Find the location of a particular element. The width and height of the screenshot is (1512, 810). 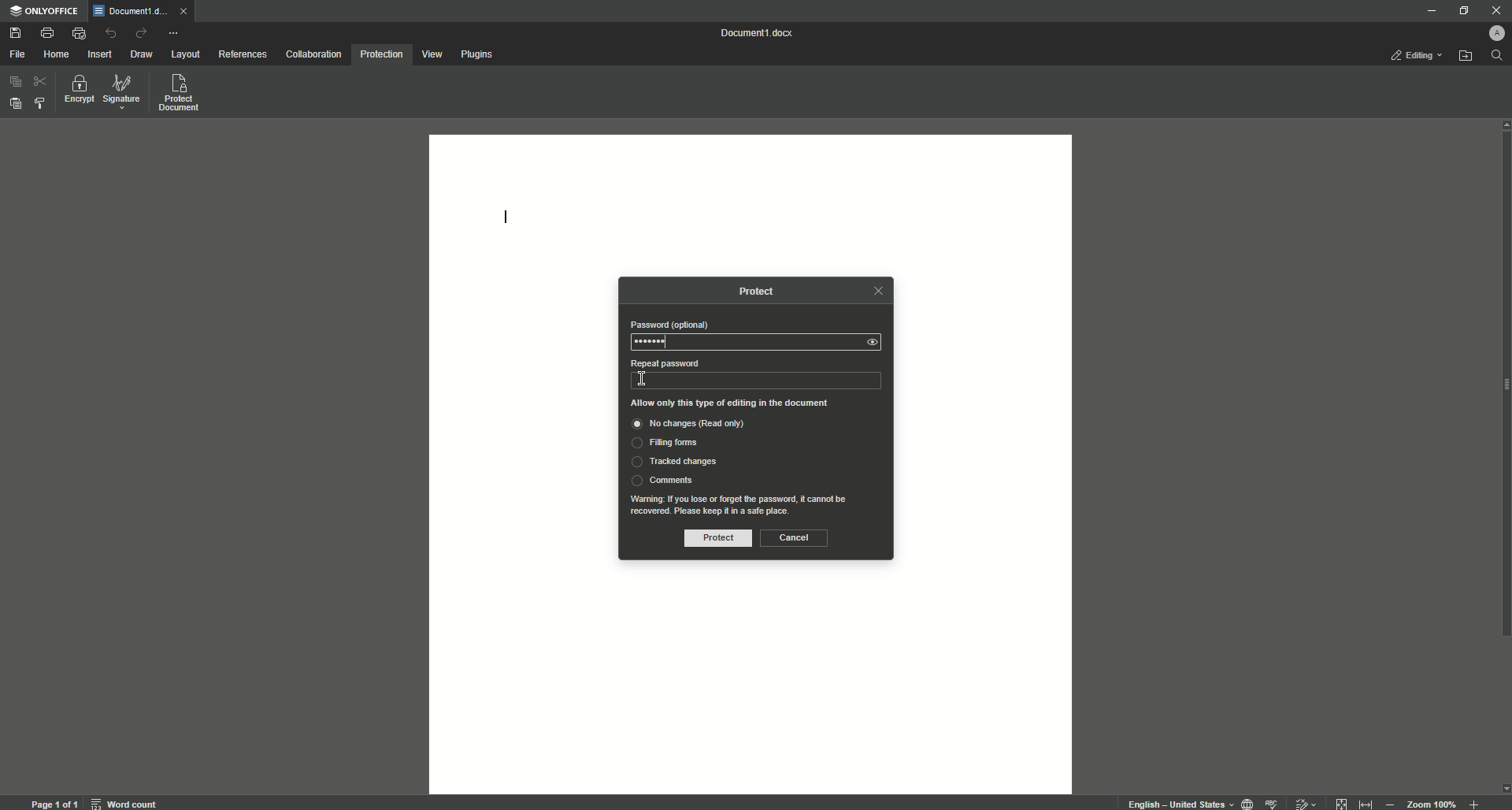

Protect is located at coordinates (713, 539).